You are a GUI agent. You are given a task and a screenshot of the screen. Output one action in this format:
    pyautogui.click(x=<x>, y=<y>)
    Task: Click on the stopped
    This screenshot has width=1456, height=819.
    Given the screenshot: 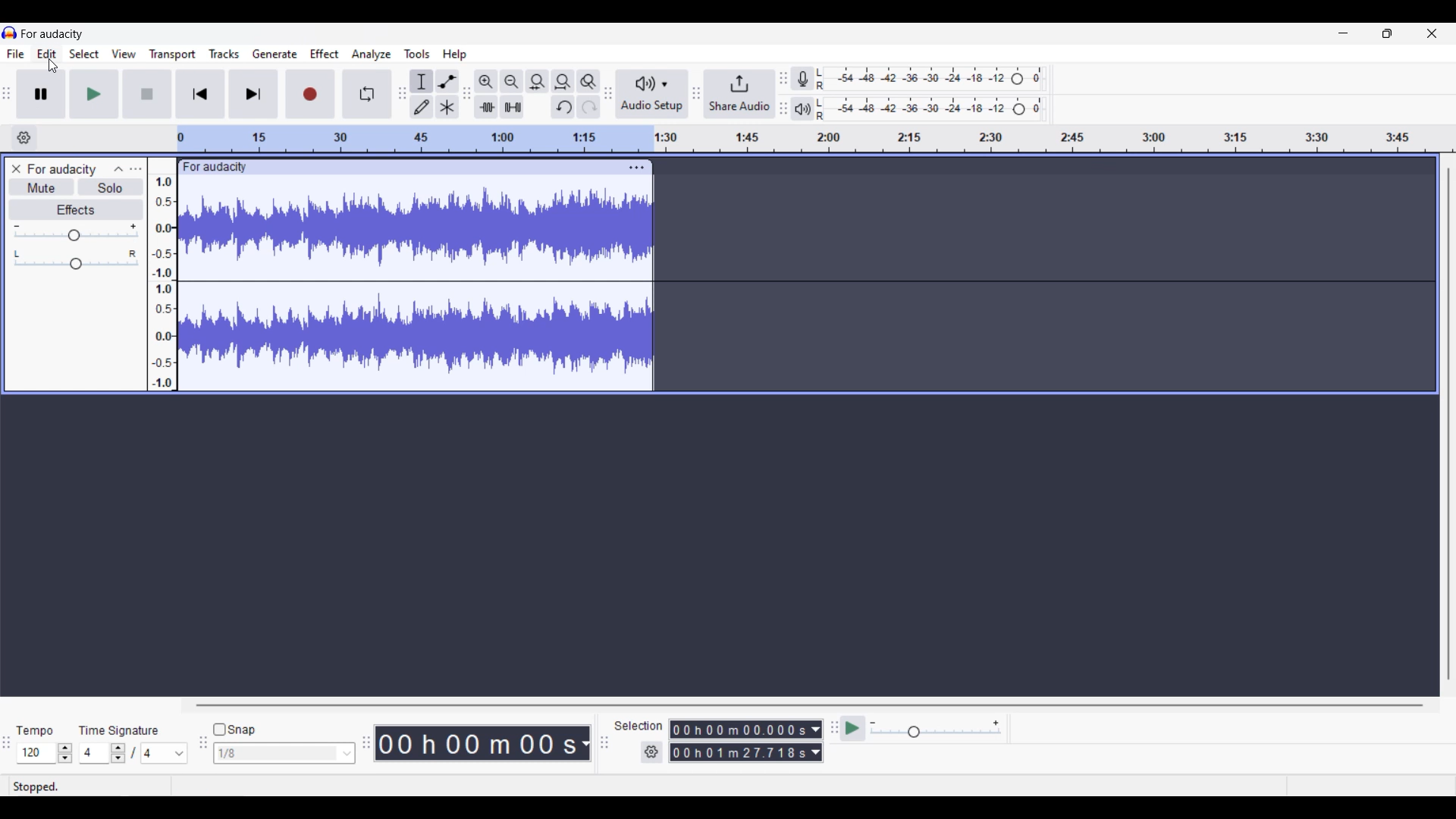 What is the action you would take?
    pyautogui.click(x=36, y=786)
    